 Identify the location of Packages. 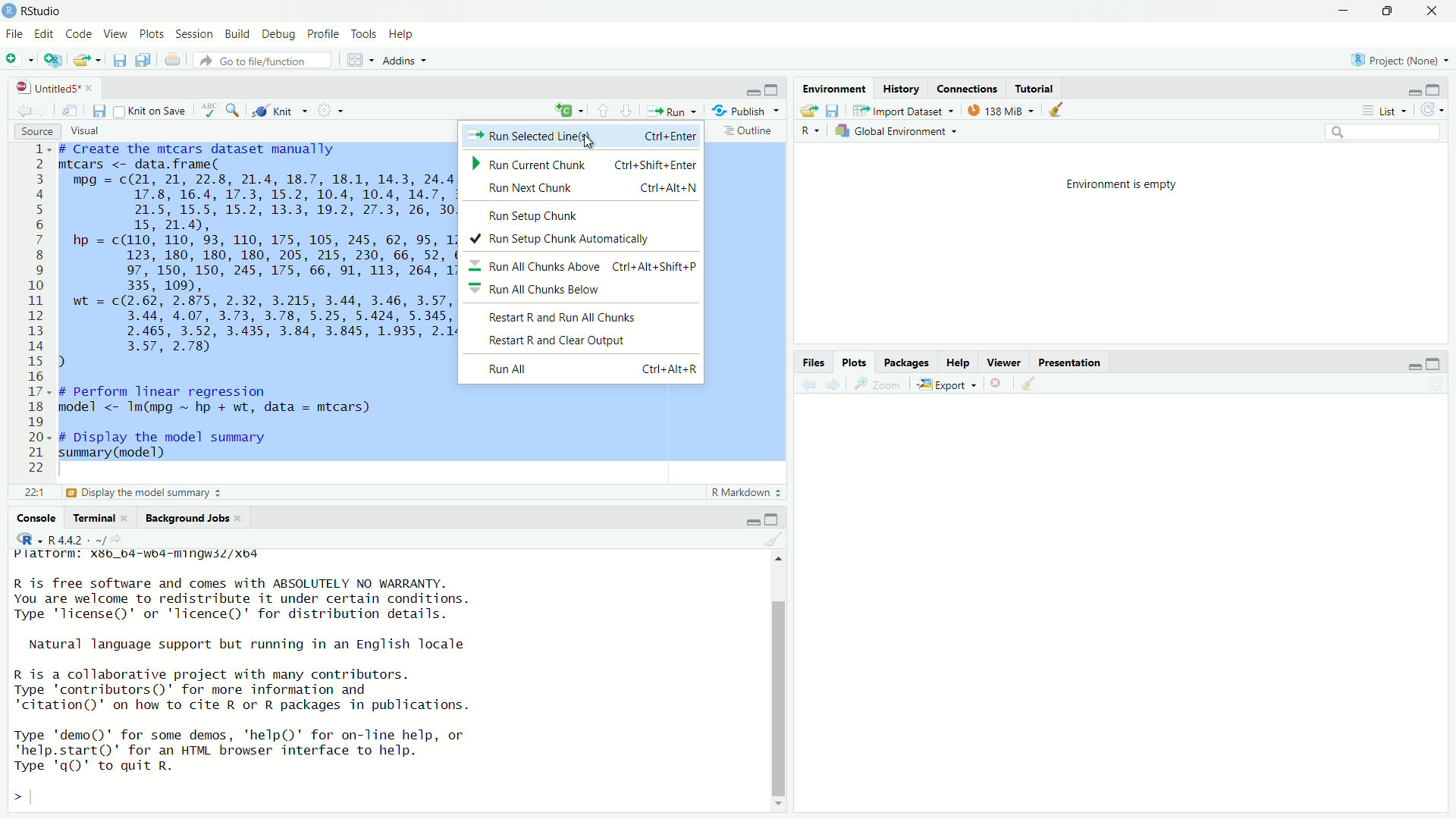
(907, 362).